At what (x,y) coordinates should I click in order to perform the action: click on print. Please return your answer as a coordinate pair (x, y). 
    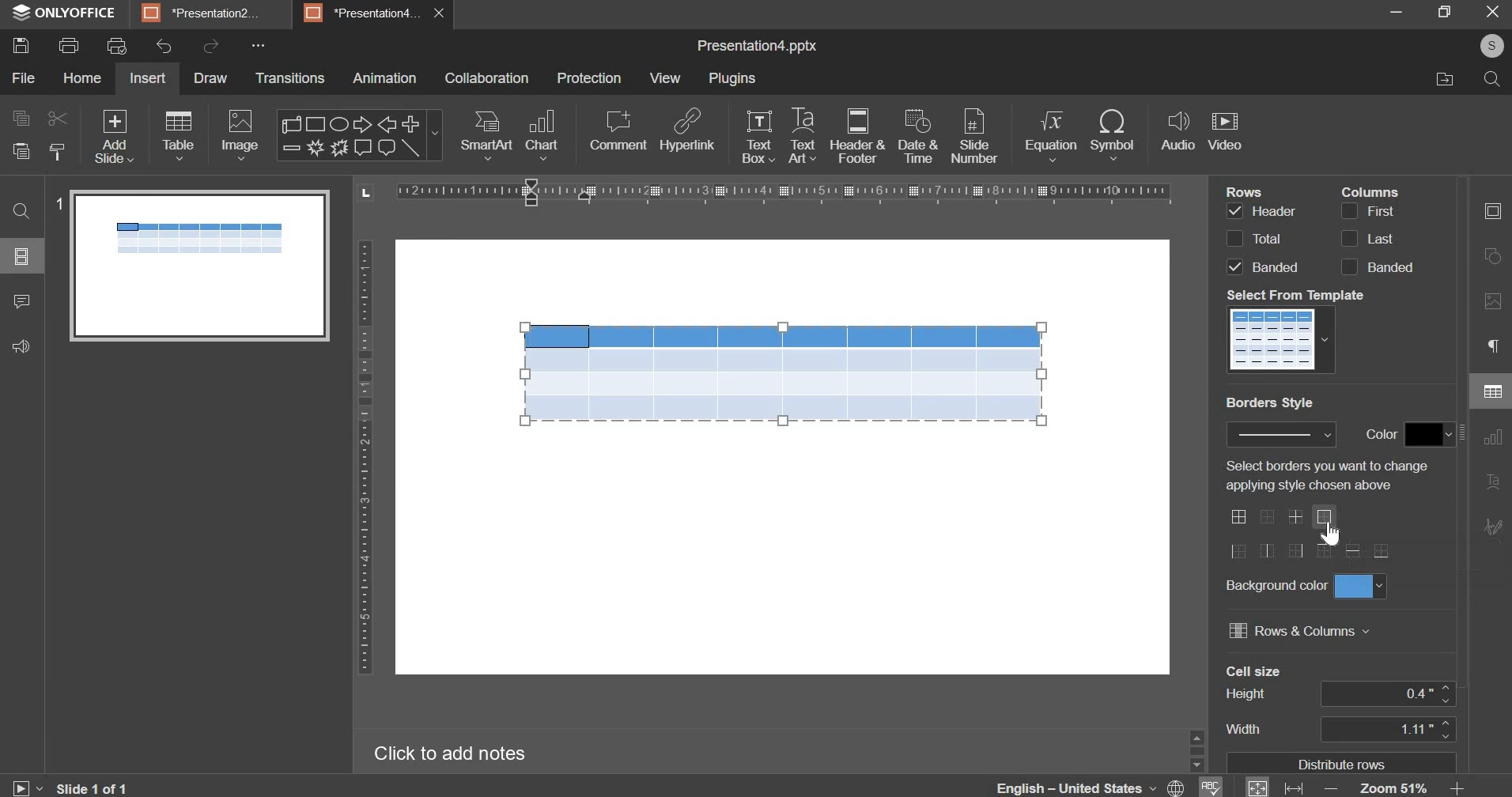
    Looking at the image, I should click on (69, 47).